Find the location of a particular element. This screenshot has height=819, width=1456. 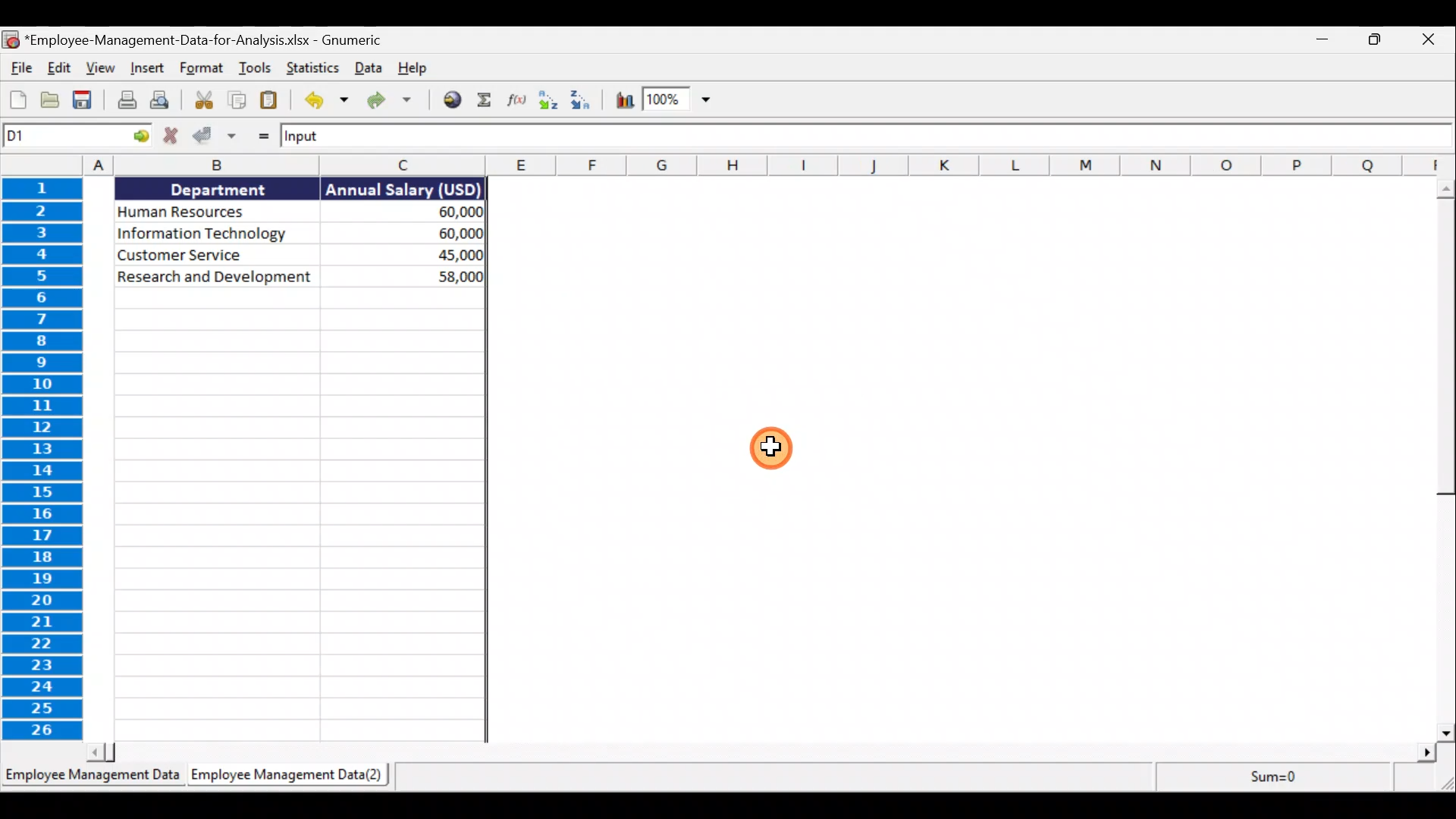

Edit is located at coordinates (61, 64).